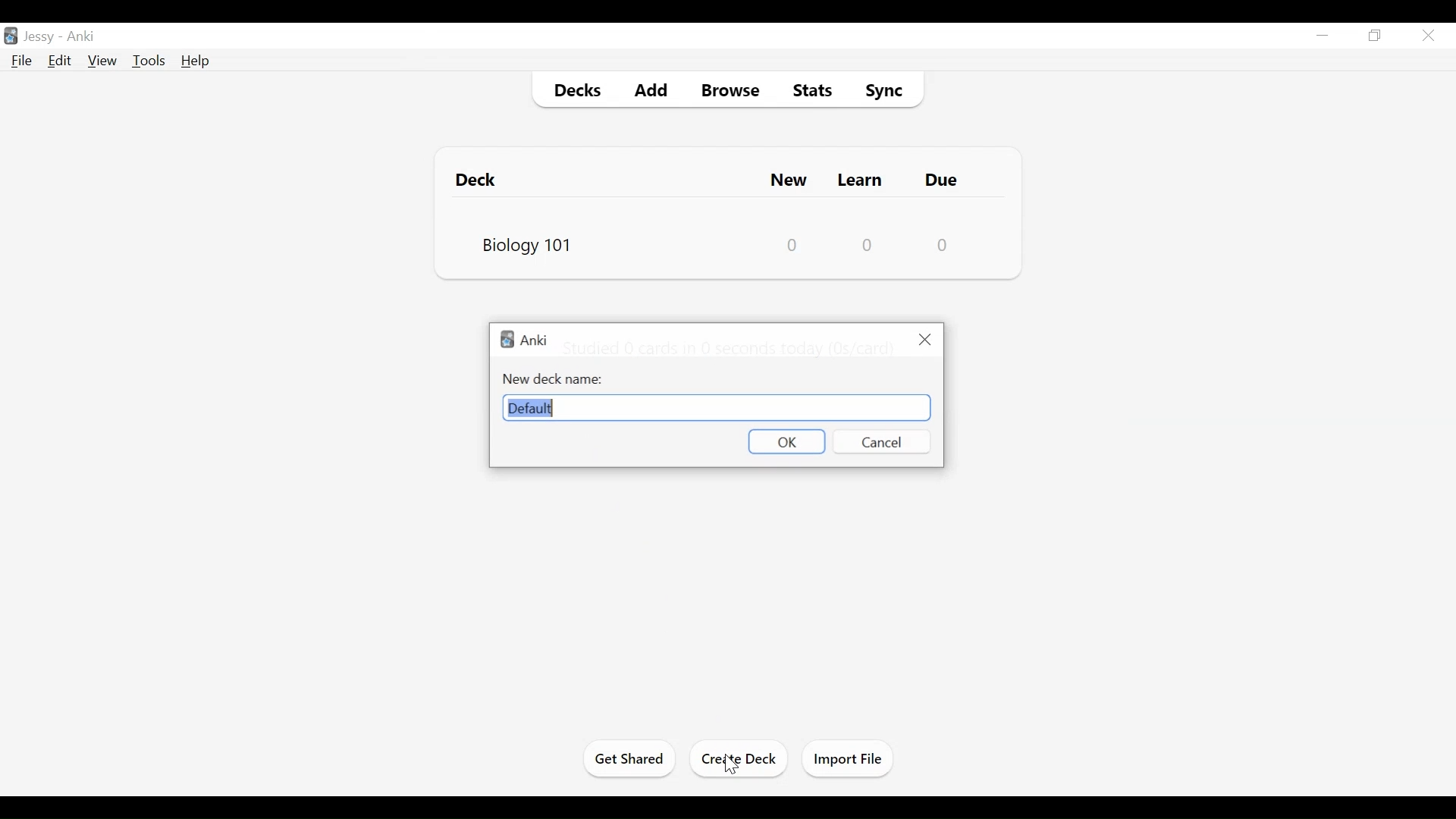  Describe the element at coordinates (1428, 36) in the screenshot. I see `Close` at that location.